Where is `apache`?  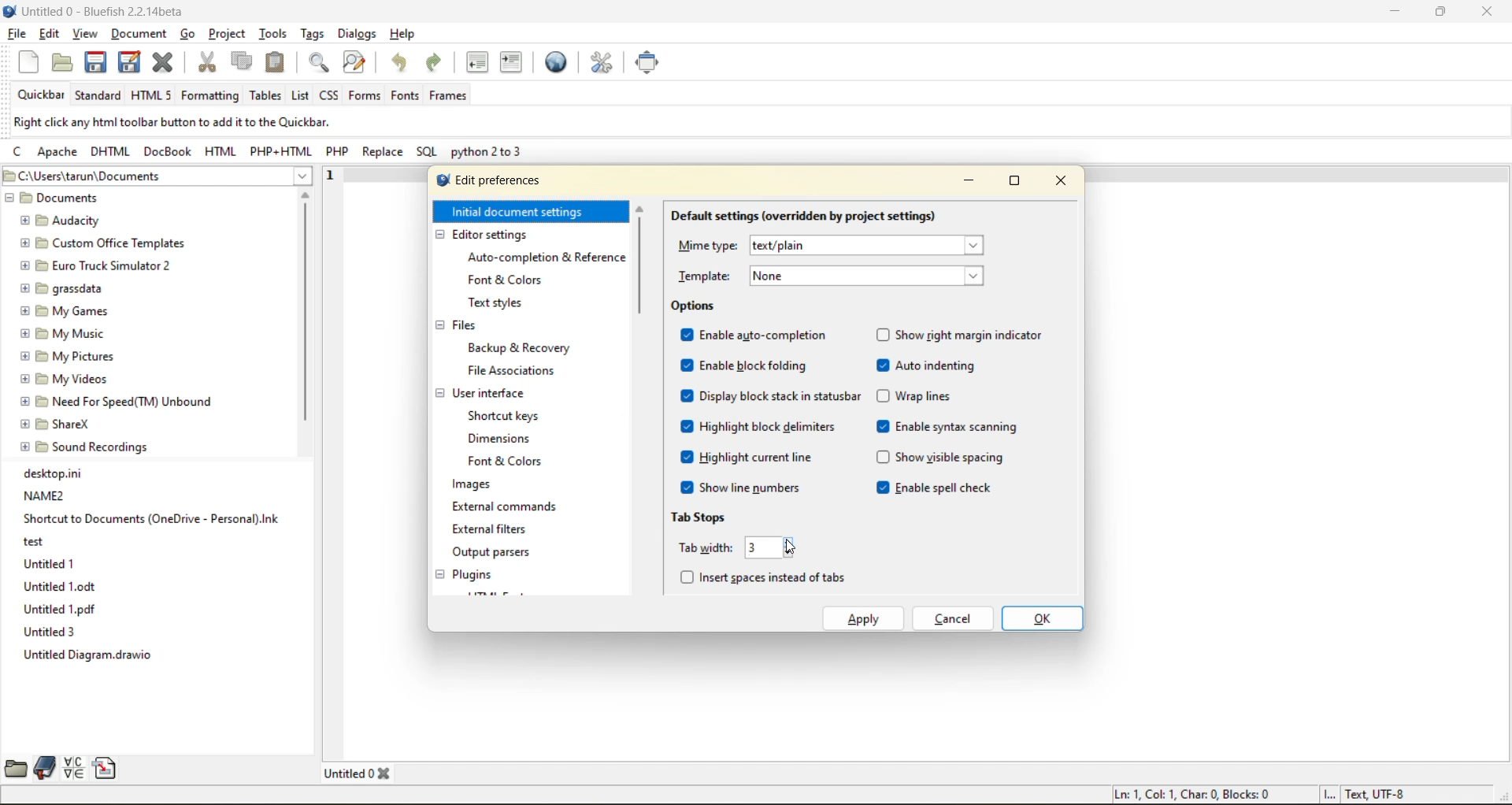
apache is located at coordinates (57, 154).